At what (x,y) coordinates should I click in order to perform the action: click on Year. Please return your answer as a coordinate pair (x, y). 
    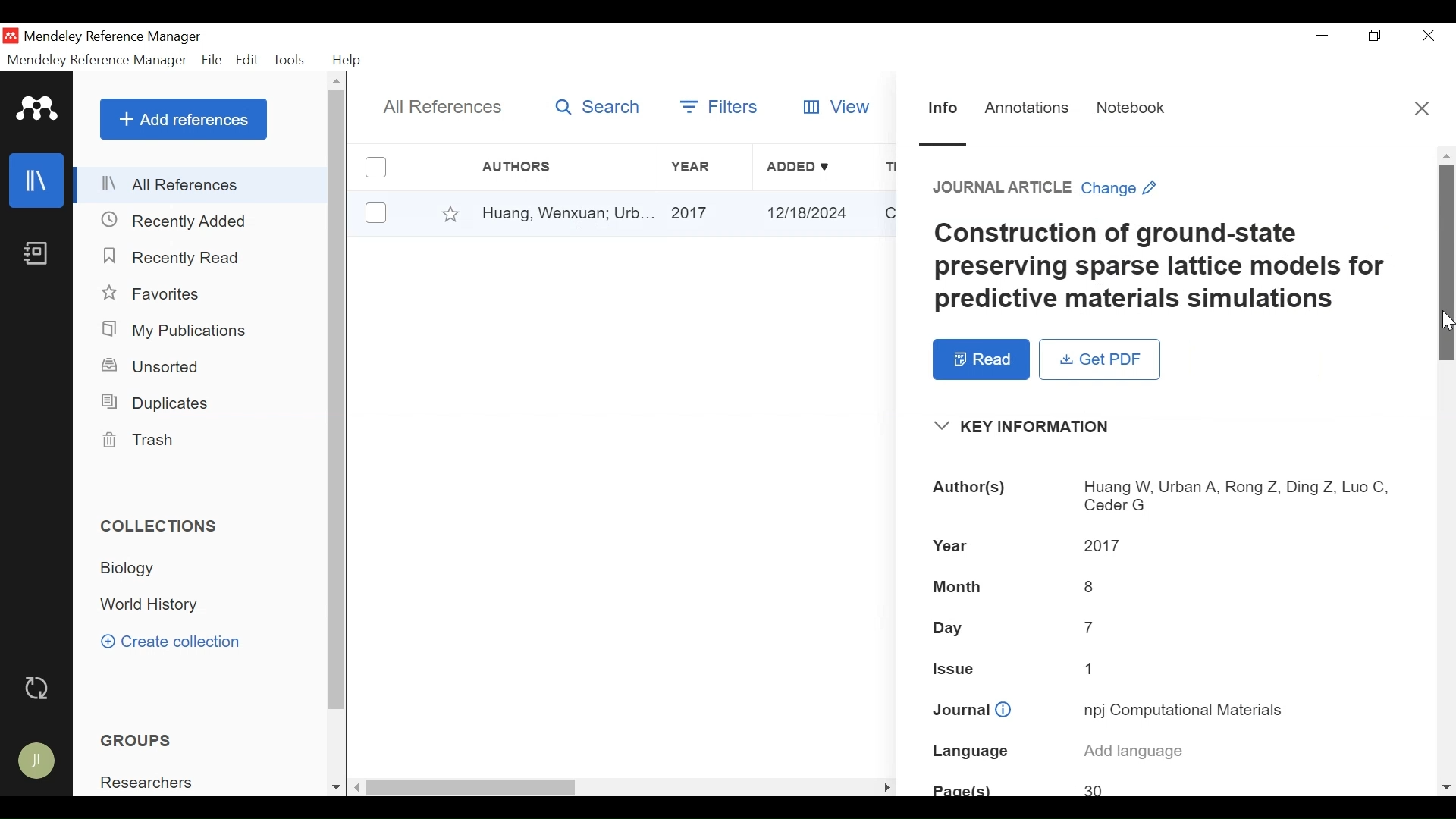
    Looking at the image, I should click on (949, 545).